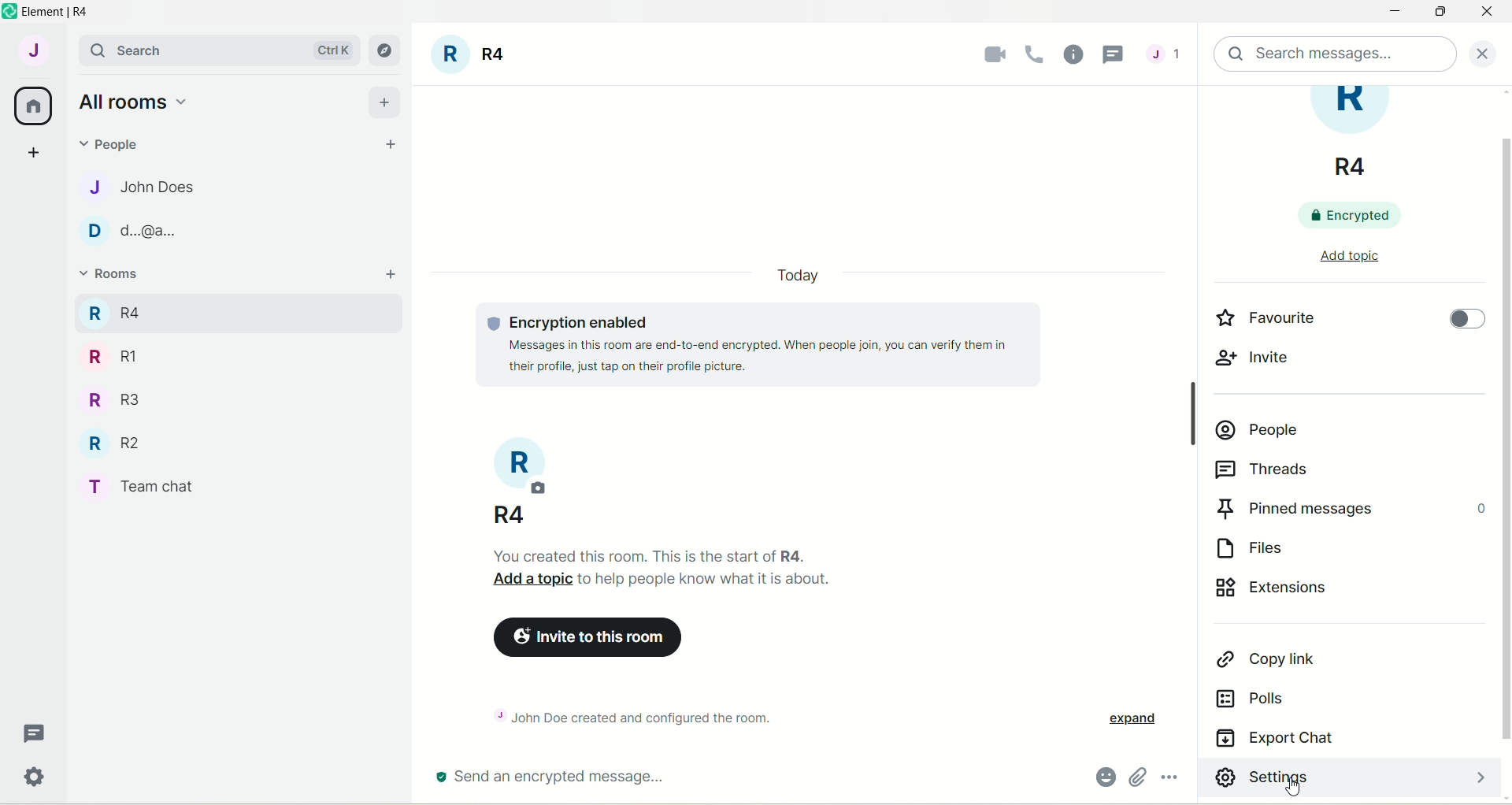 This screenshot has height=805, width=1512. I want to click on maximize, so click(1443, 13).